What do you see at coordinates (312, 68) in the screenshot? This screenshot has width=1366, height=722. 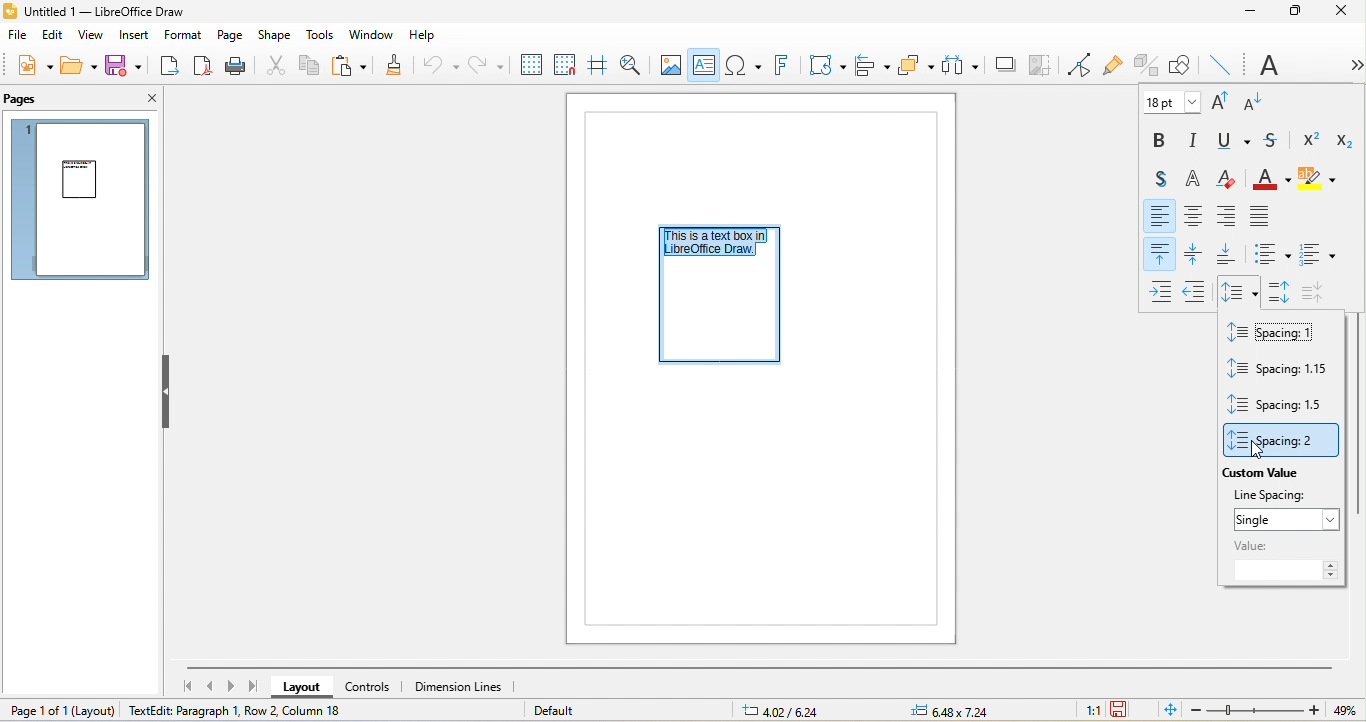 I see `copy` at bounding box center [312, 68].